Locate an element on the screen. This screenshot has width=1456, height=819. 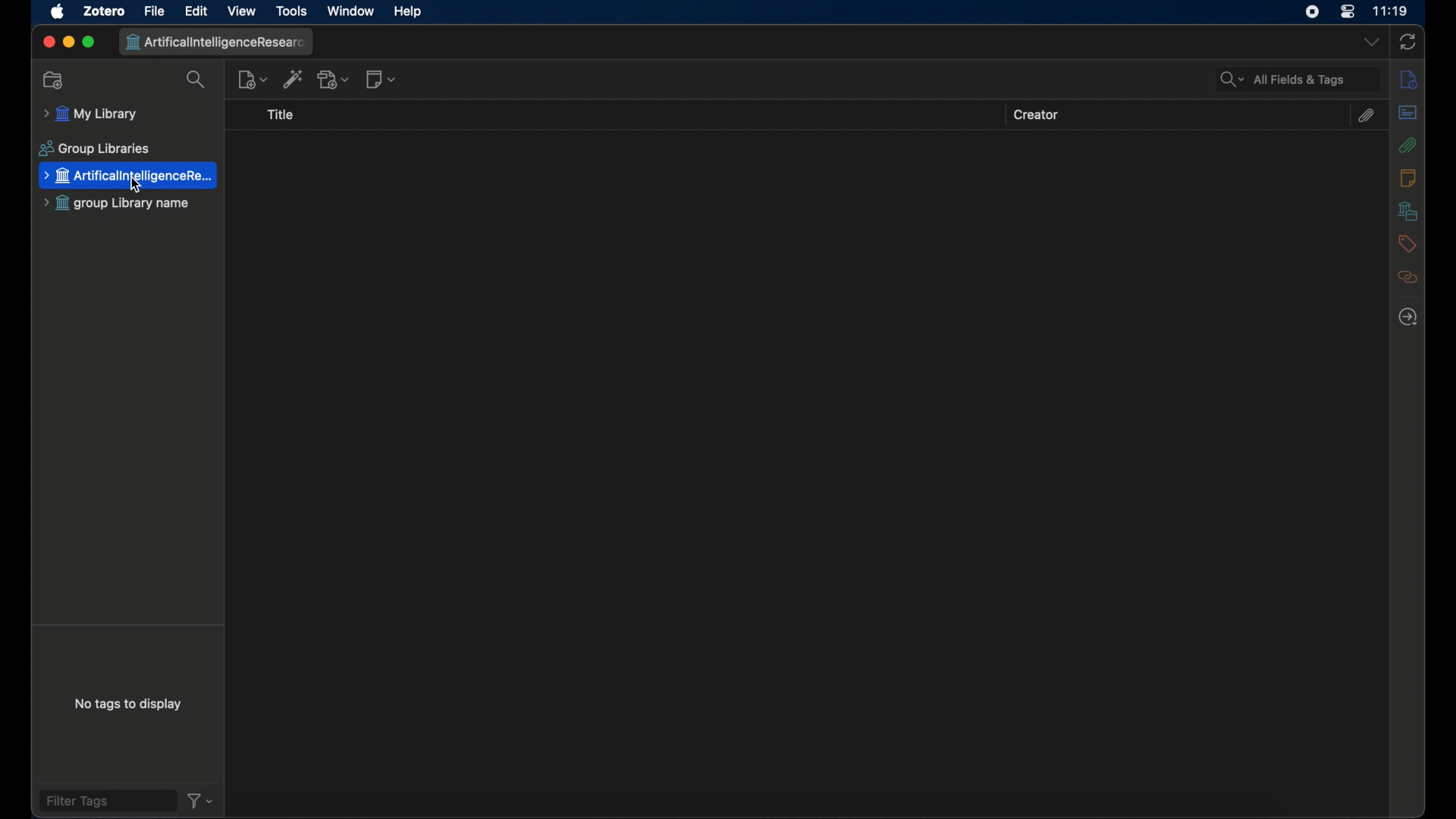
title is located at coordinates (283, 115).